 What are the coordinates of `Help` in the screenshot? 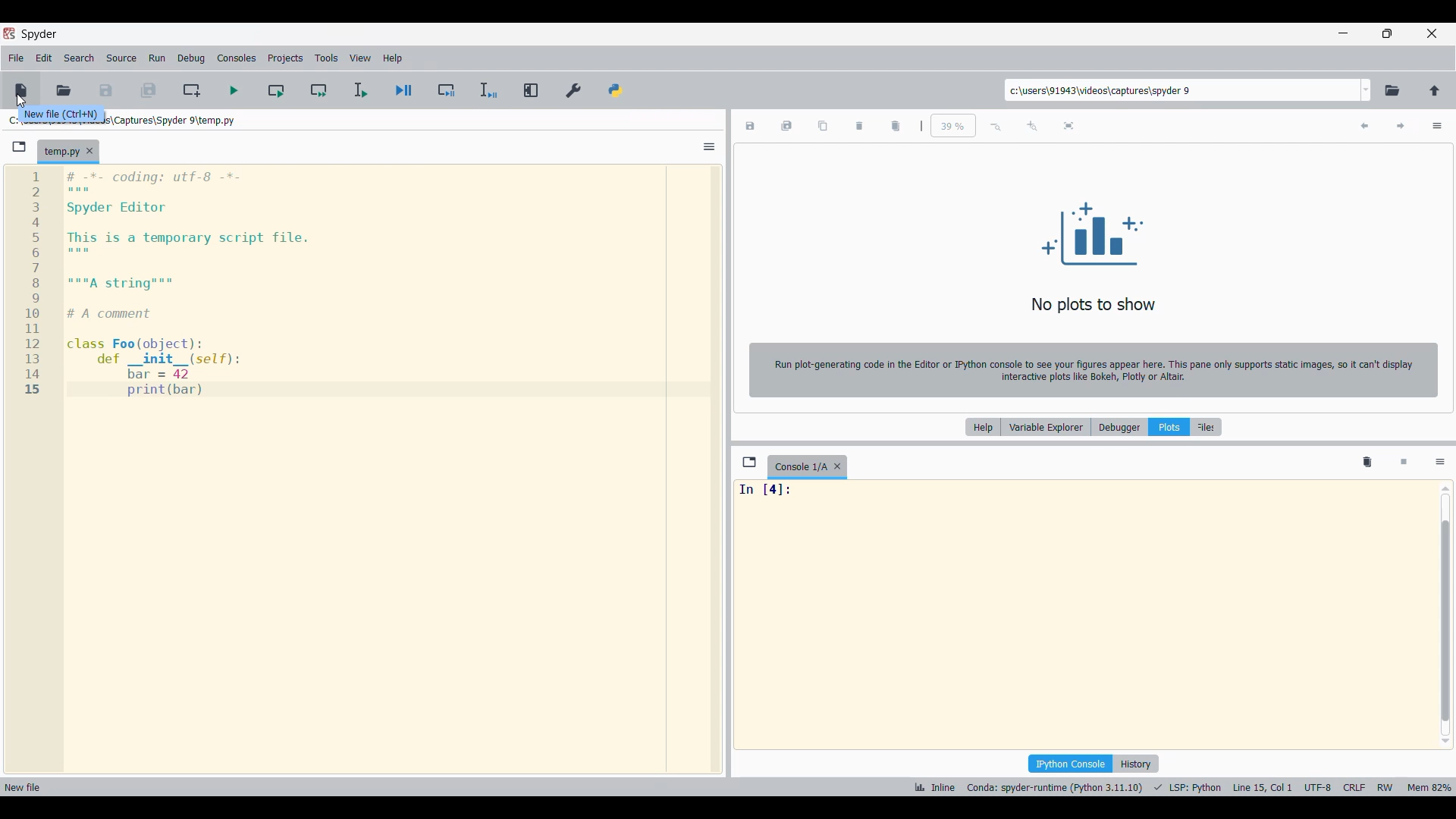 It's located at (984, 427).